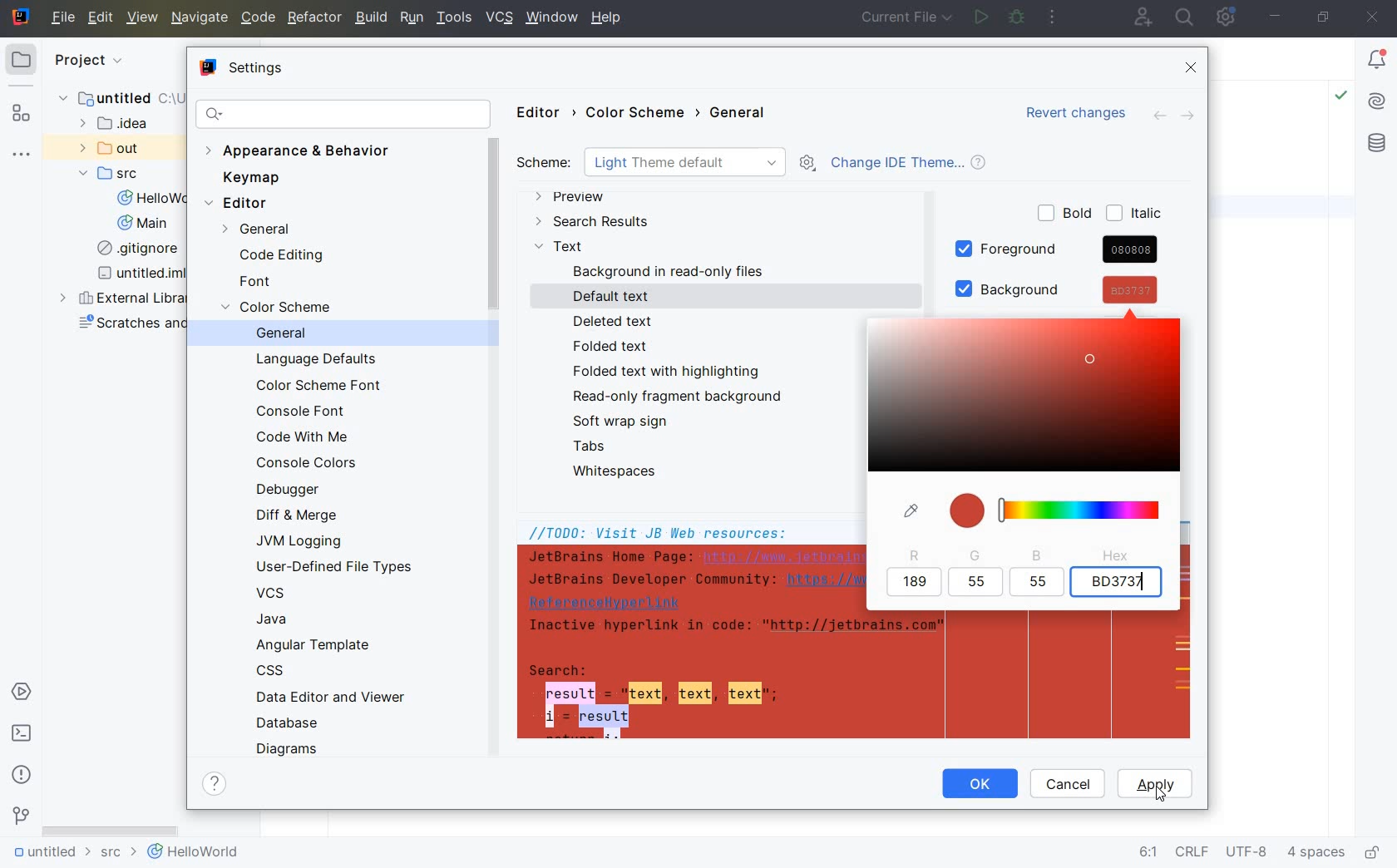 Image resolution: width=1397 pixels, height=868 pixels. What do you see at coordinates (1375, 853) in the screenshot?
I see `make file ready only` at bounding box center [1375, 853].